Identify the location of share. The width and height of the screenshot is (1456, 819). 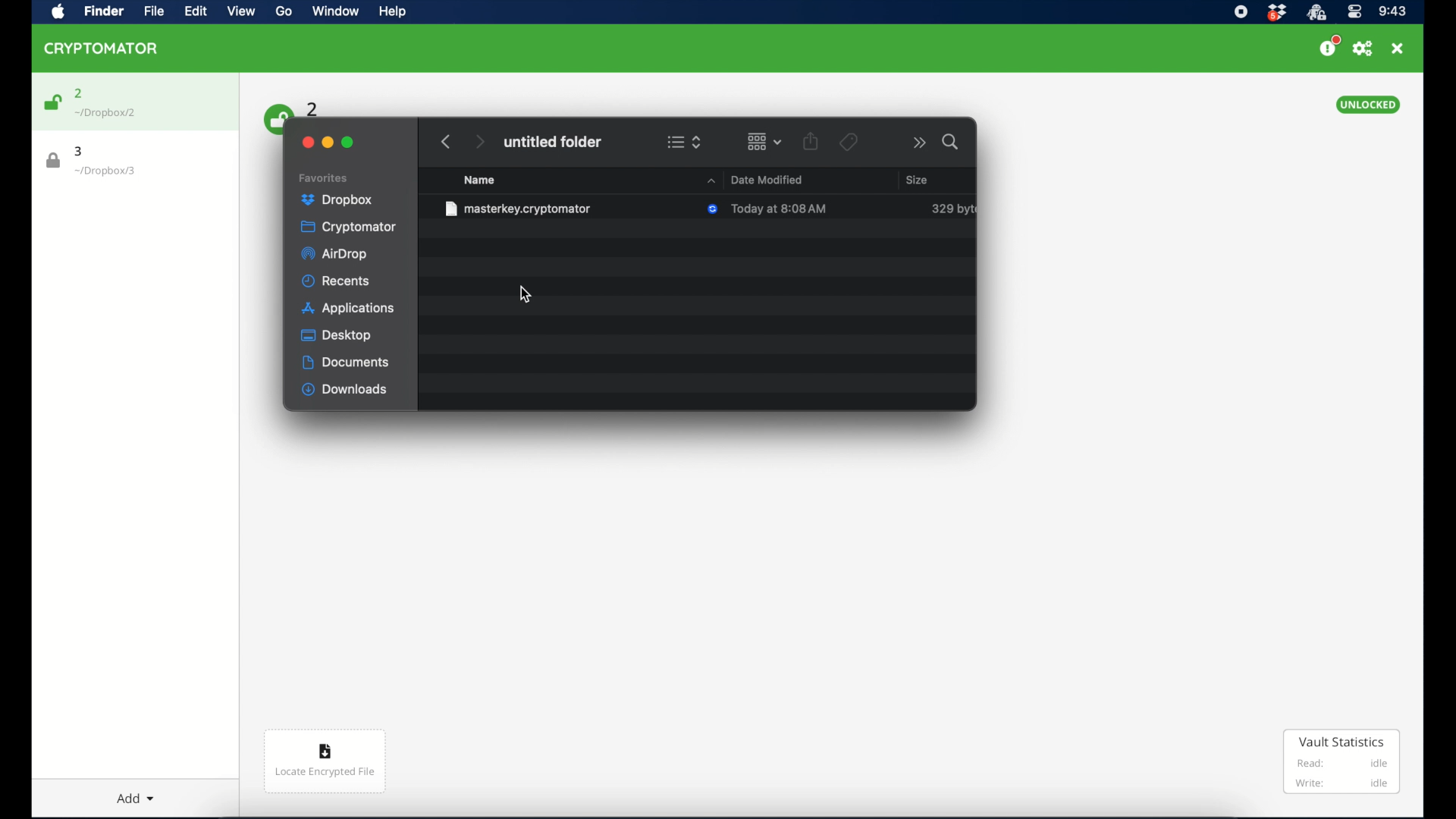
(811, 141).